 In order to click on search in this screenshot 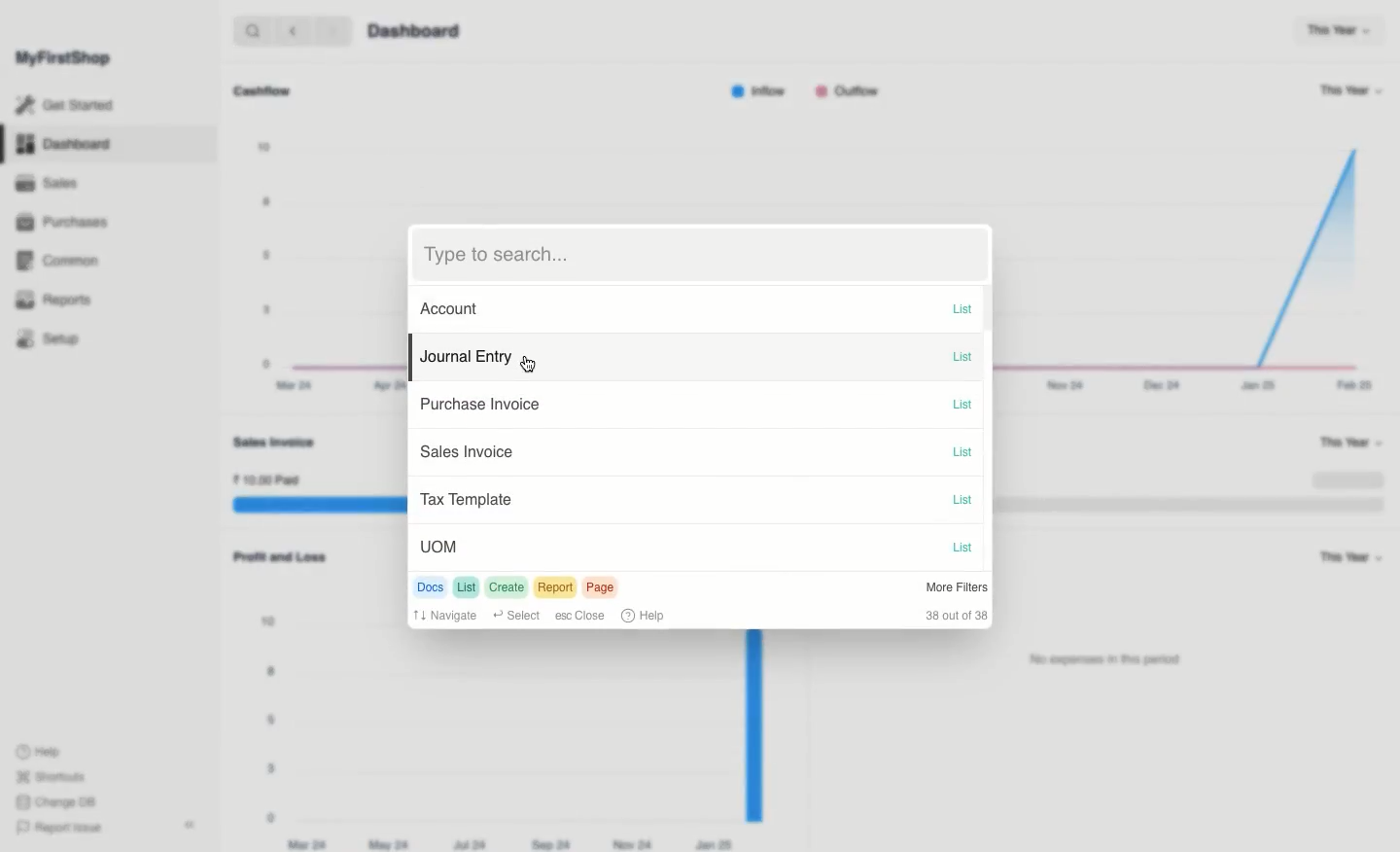, I will do `click(248, 31)`.